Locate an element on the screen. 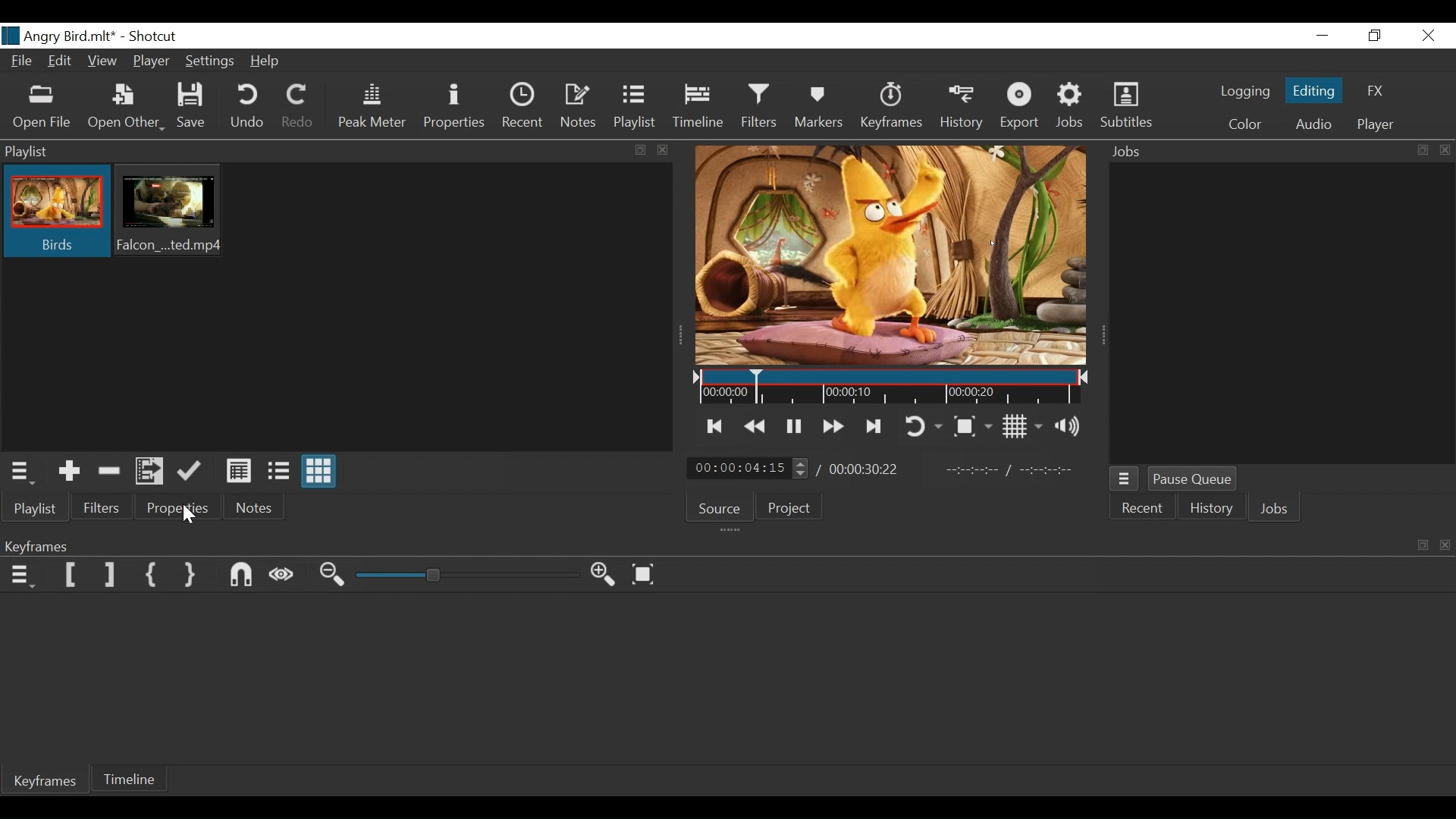 This screenshot has width=1456, height=819. Jobs is located at coordinates (1072, 108).